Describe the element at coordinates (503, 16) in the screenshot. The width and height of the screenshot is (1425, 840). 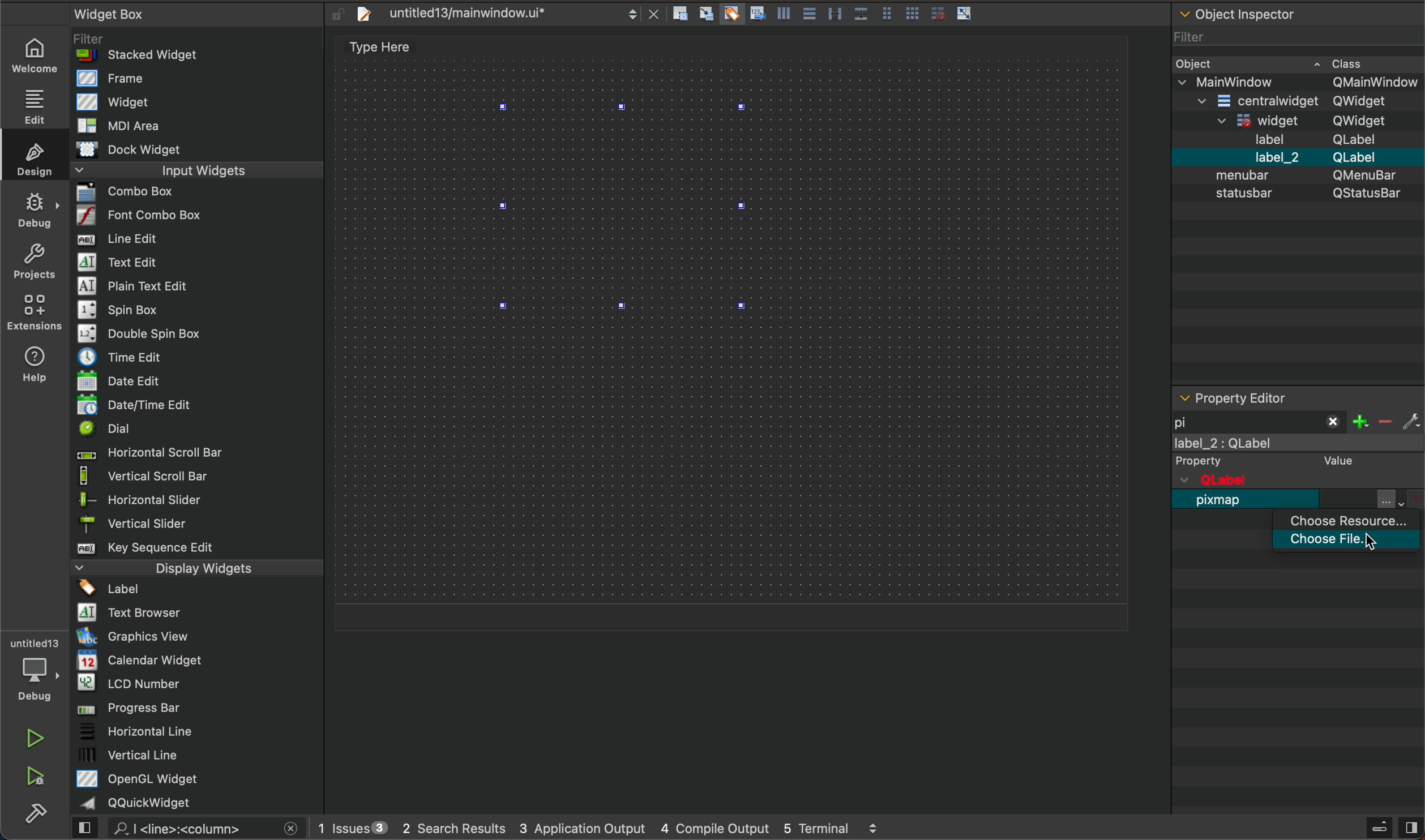
I see `file tab` at that location.